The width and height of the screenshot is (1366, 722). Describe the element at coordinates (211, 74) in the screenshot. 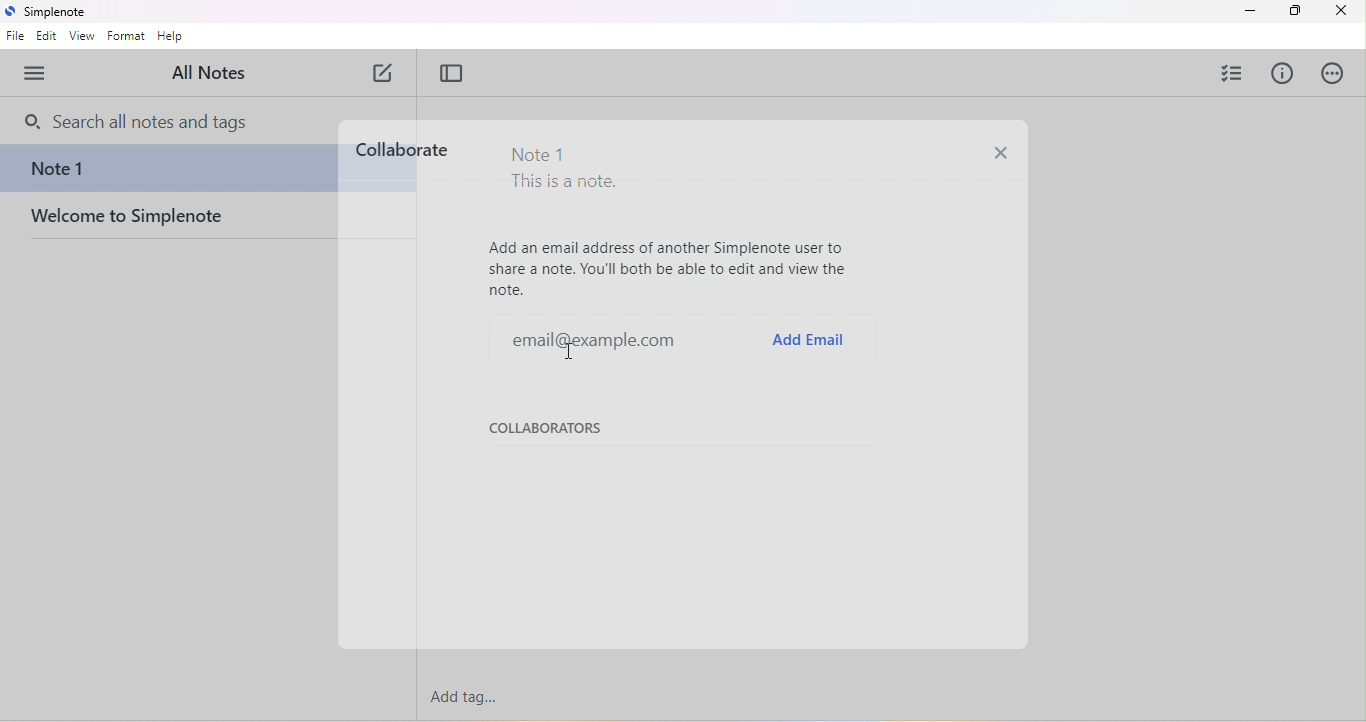

I see `all notes` at that location.